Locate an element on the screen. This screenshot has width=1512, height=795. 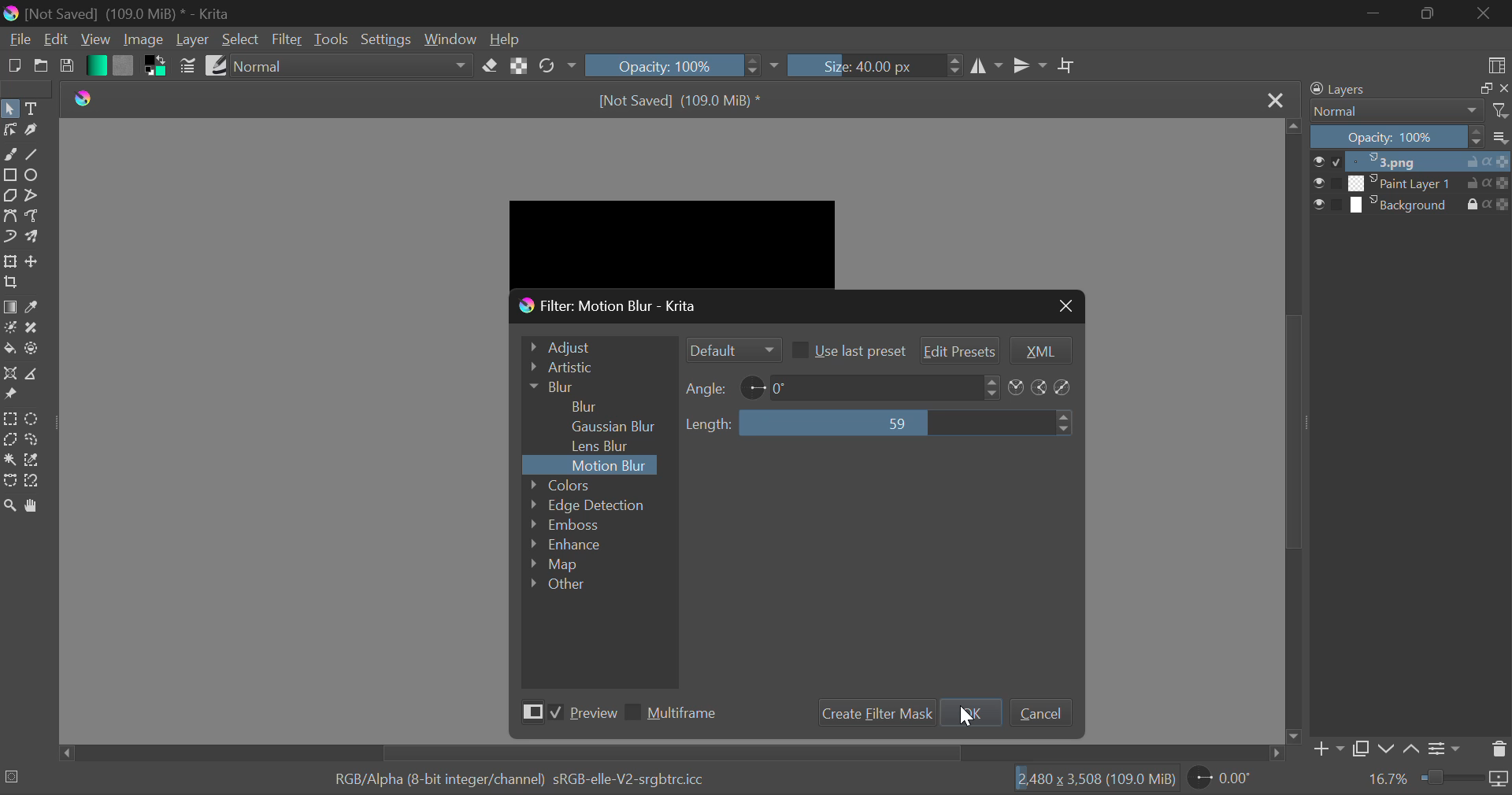
Cursor on OK is located at coordinates (967, 714).